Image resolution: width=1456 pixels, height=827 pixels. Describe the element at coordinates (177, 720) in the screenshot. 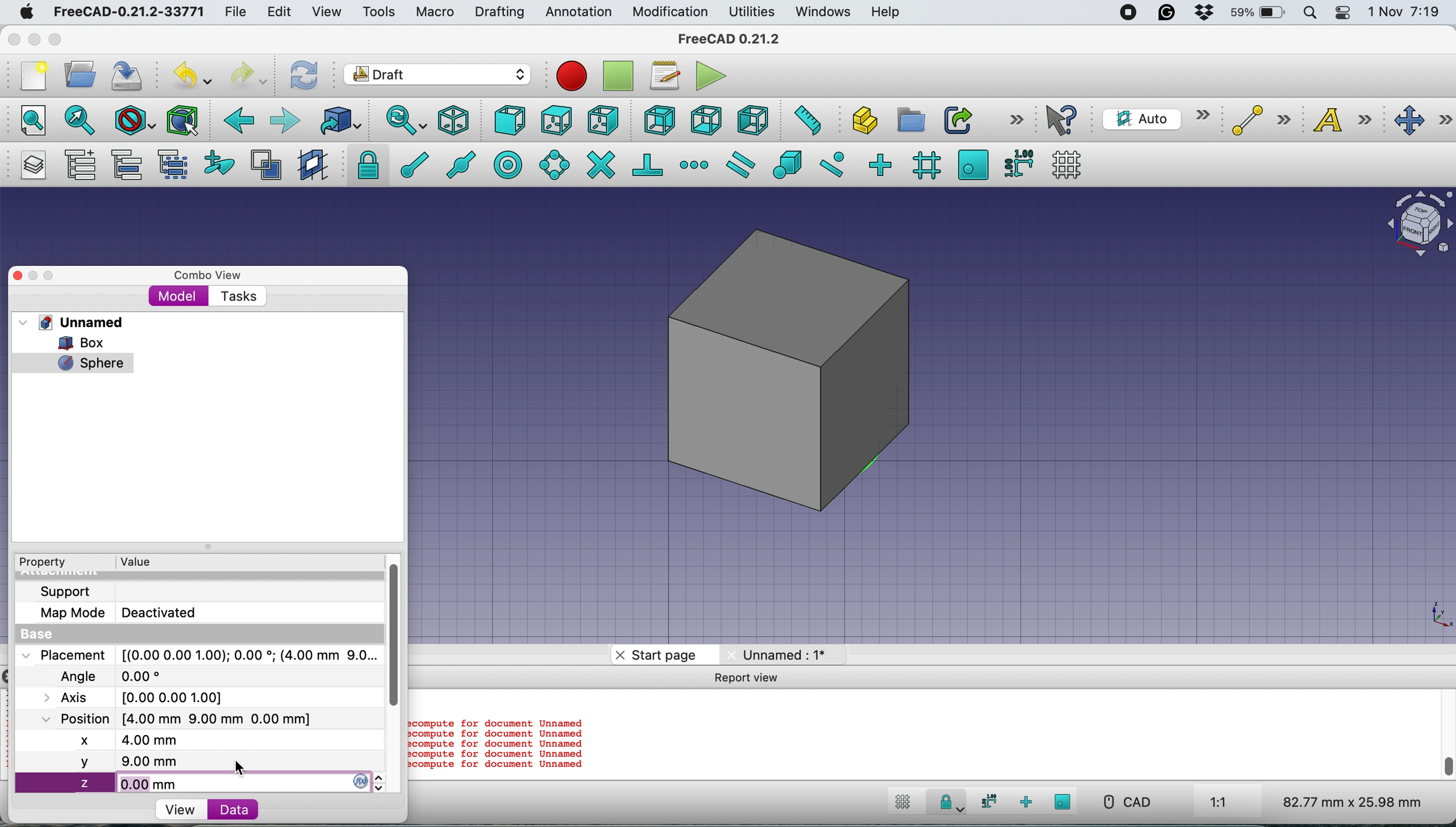

I see `Position [4.00 mm 0.00 mm 0.00 mm]` at that location.